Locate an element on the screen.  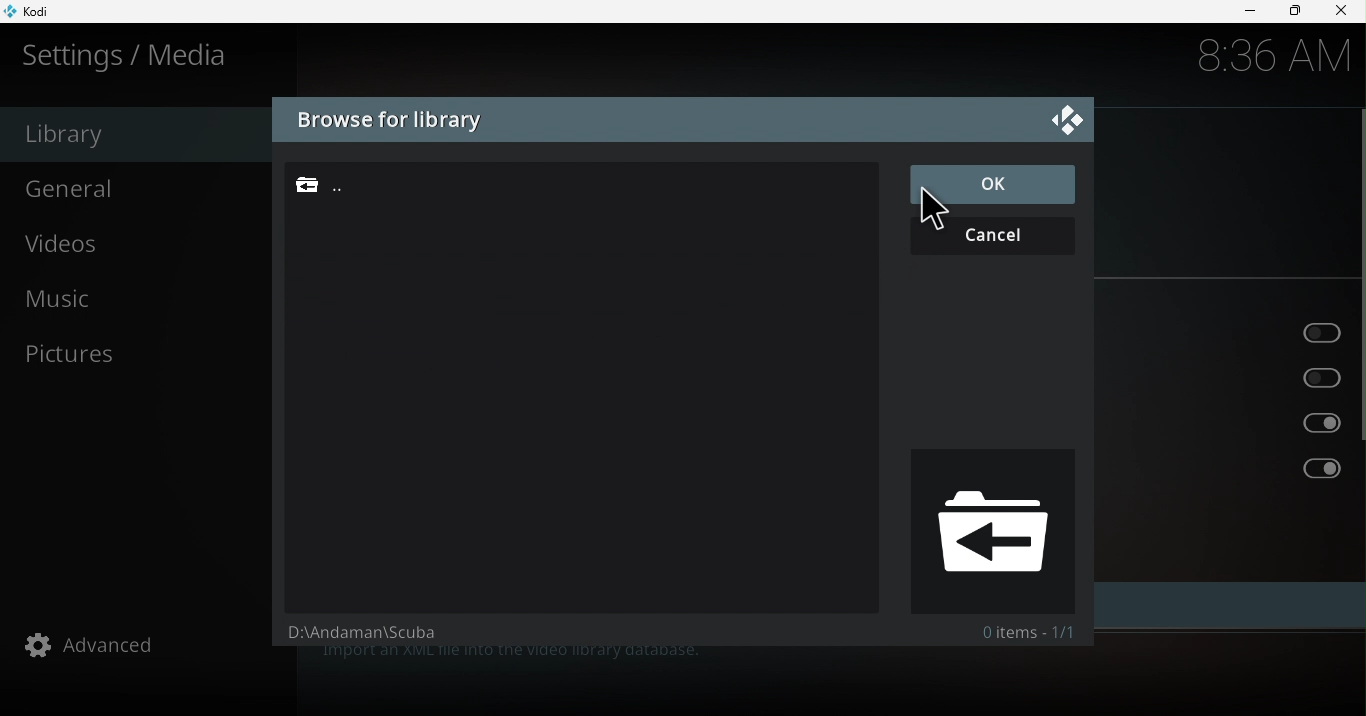
Library is located at coordinates (133, 134).